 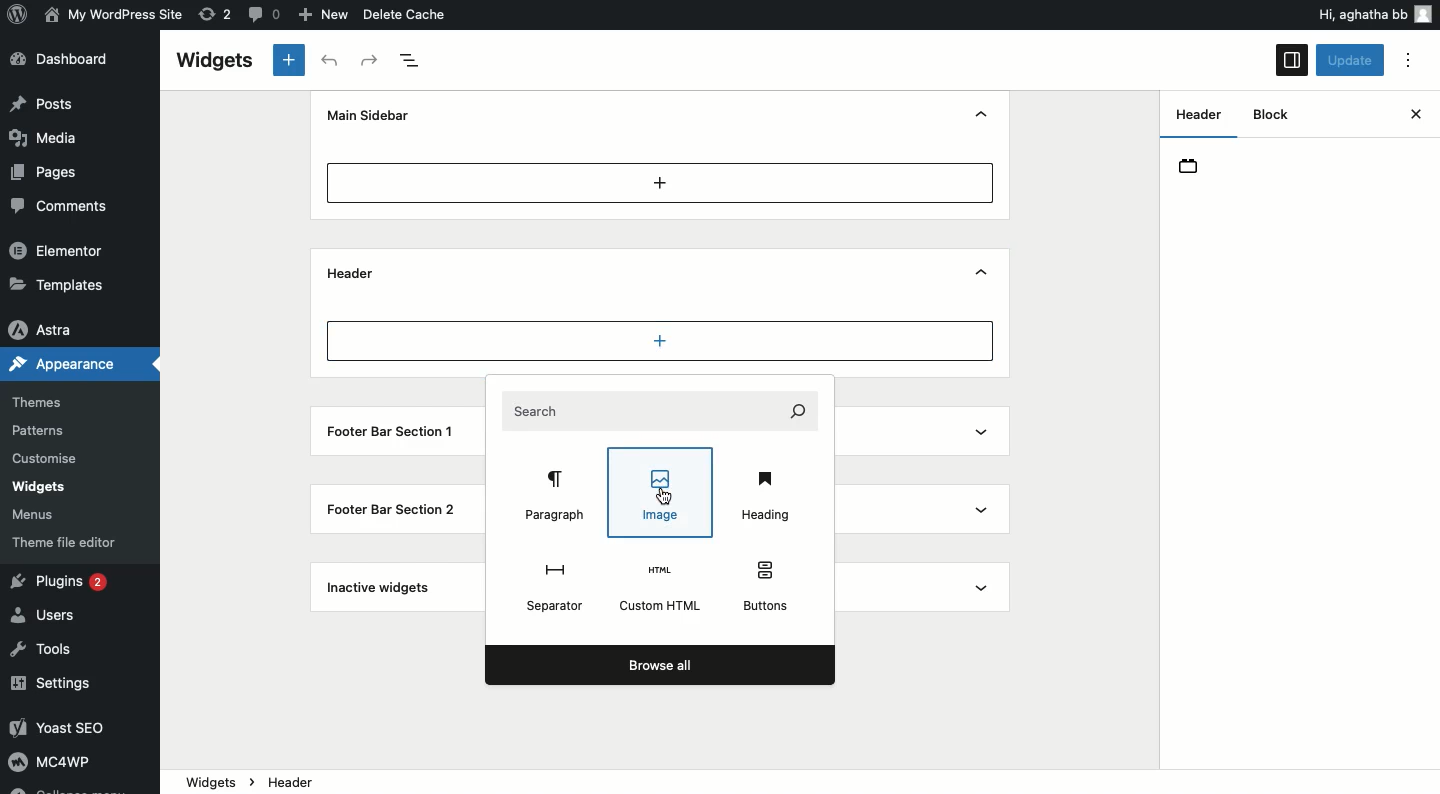 What do you see at coordinates (58, 249) in the screenshot?
I see `Elementor` at bounding box center [58, 249].